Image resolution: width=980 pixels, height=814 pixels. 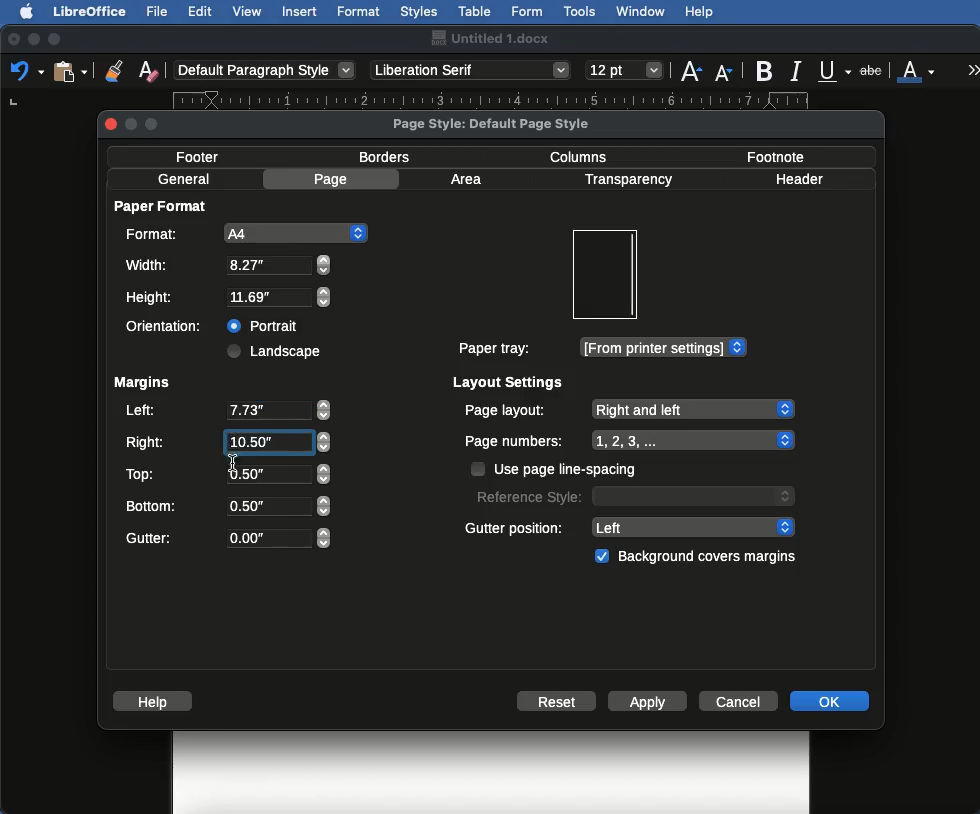 What do you see at coordinates (508, 123) in the screenshot?
I see `Page style` at bounding box center [508, 123].